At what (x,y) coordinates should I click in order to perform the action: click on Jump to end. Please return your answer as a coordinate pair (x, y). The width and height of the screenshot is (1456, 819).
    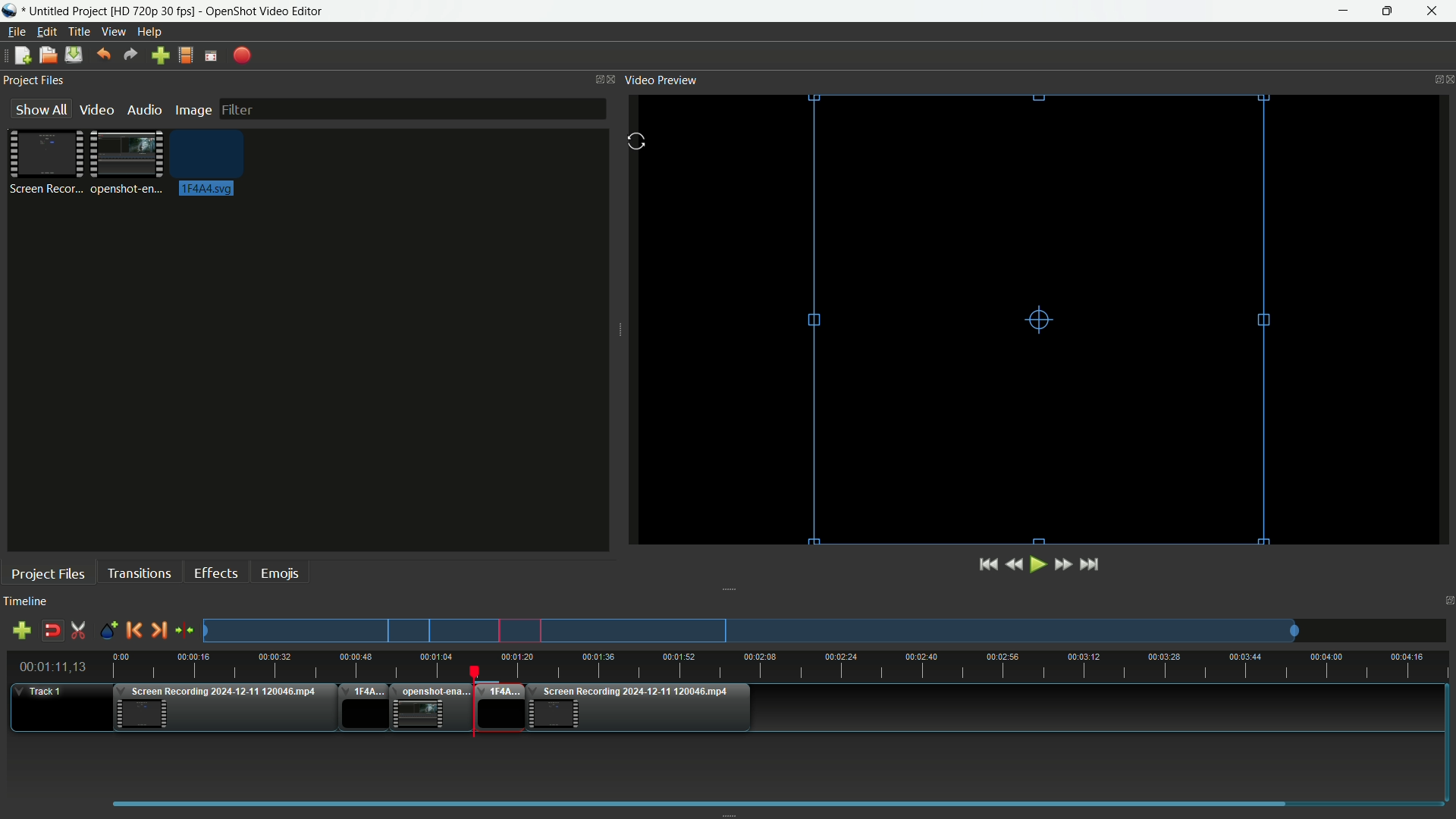
    Looking at the image, I should click on (1090, 564).